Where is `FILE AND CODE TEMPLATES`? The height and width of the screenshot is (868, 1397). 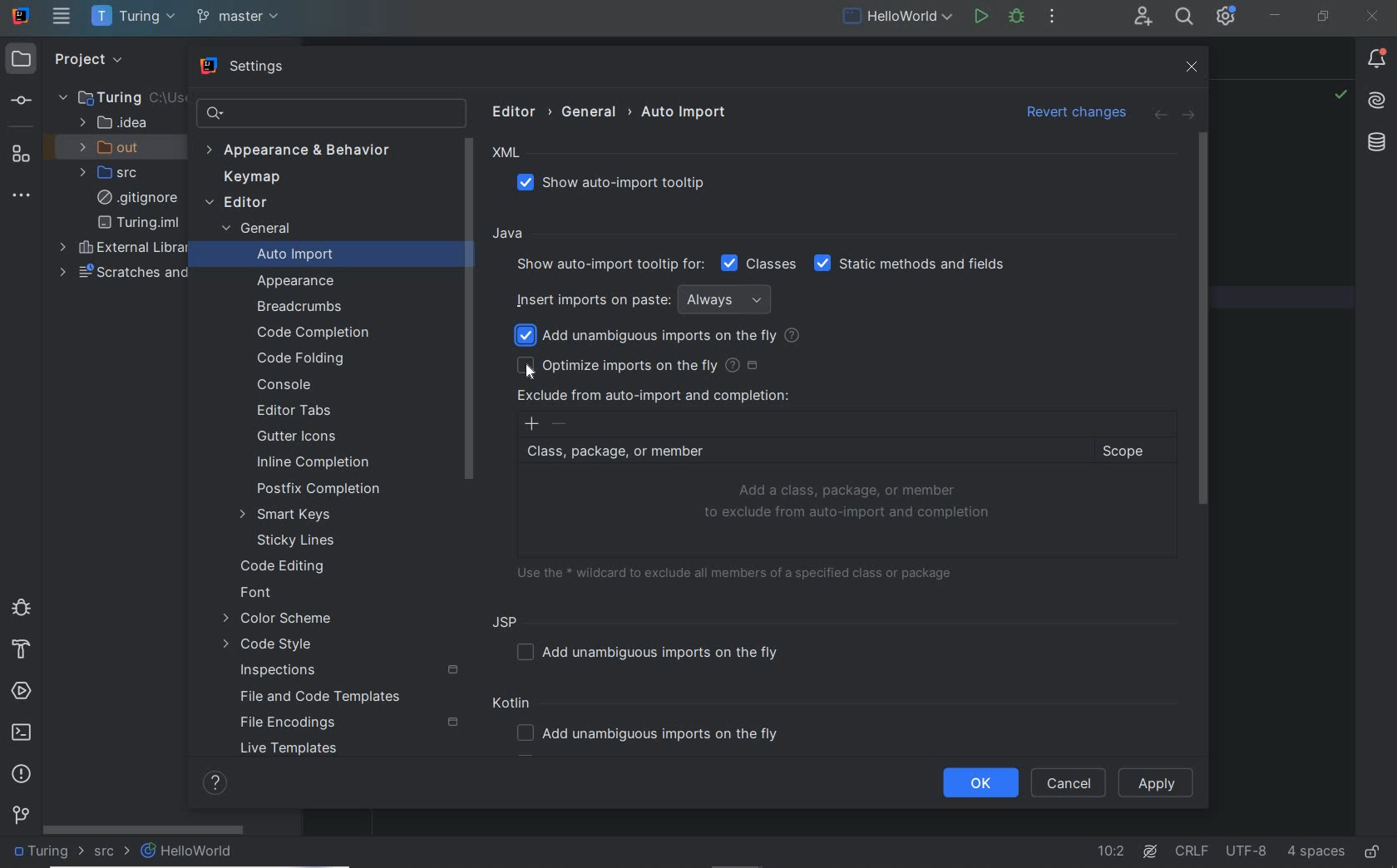
FILE AND CODE TEMPLATES is located at coordinates (315, 698).